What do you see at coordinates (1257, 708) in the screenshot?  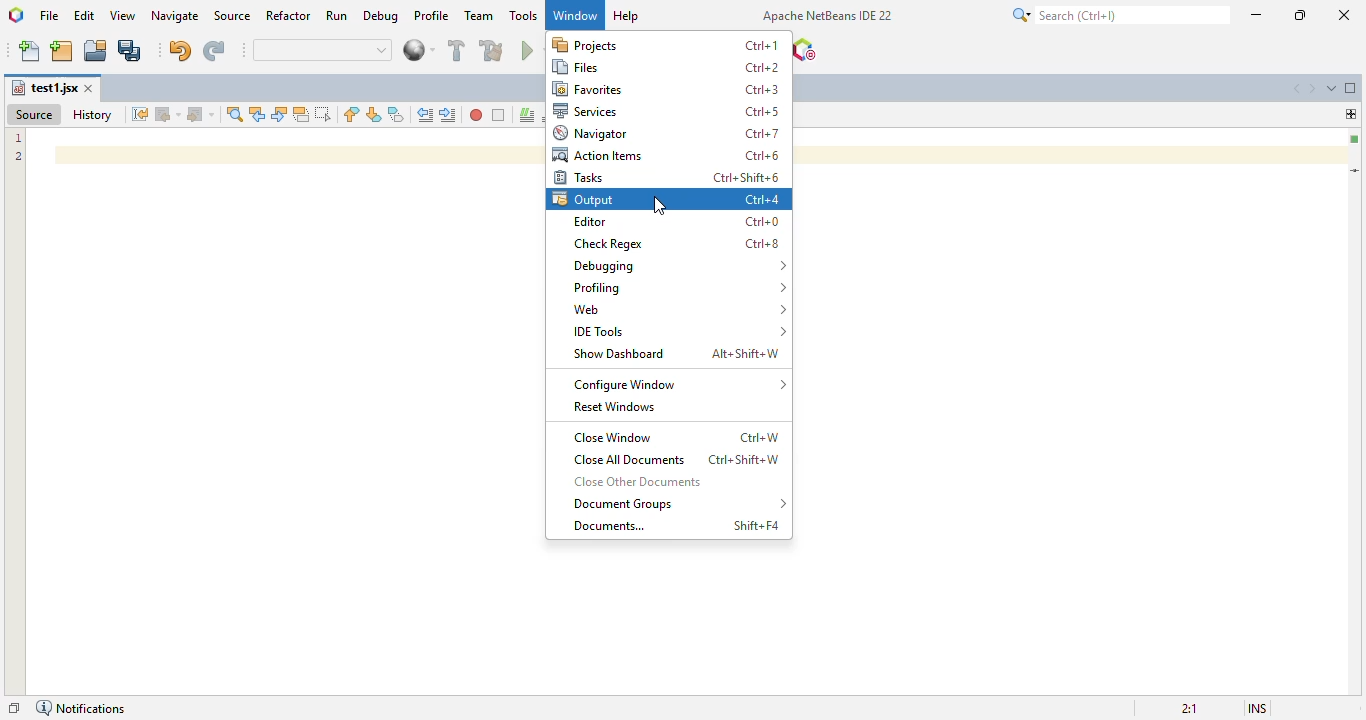 I see `insert mode` at bounding box center [1257, 708].